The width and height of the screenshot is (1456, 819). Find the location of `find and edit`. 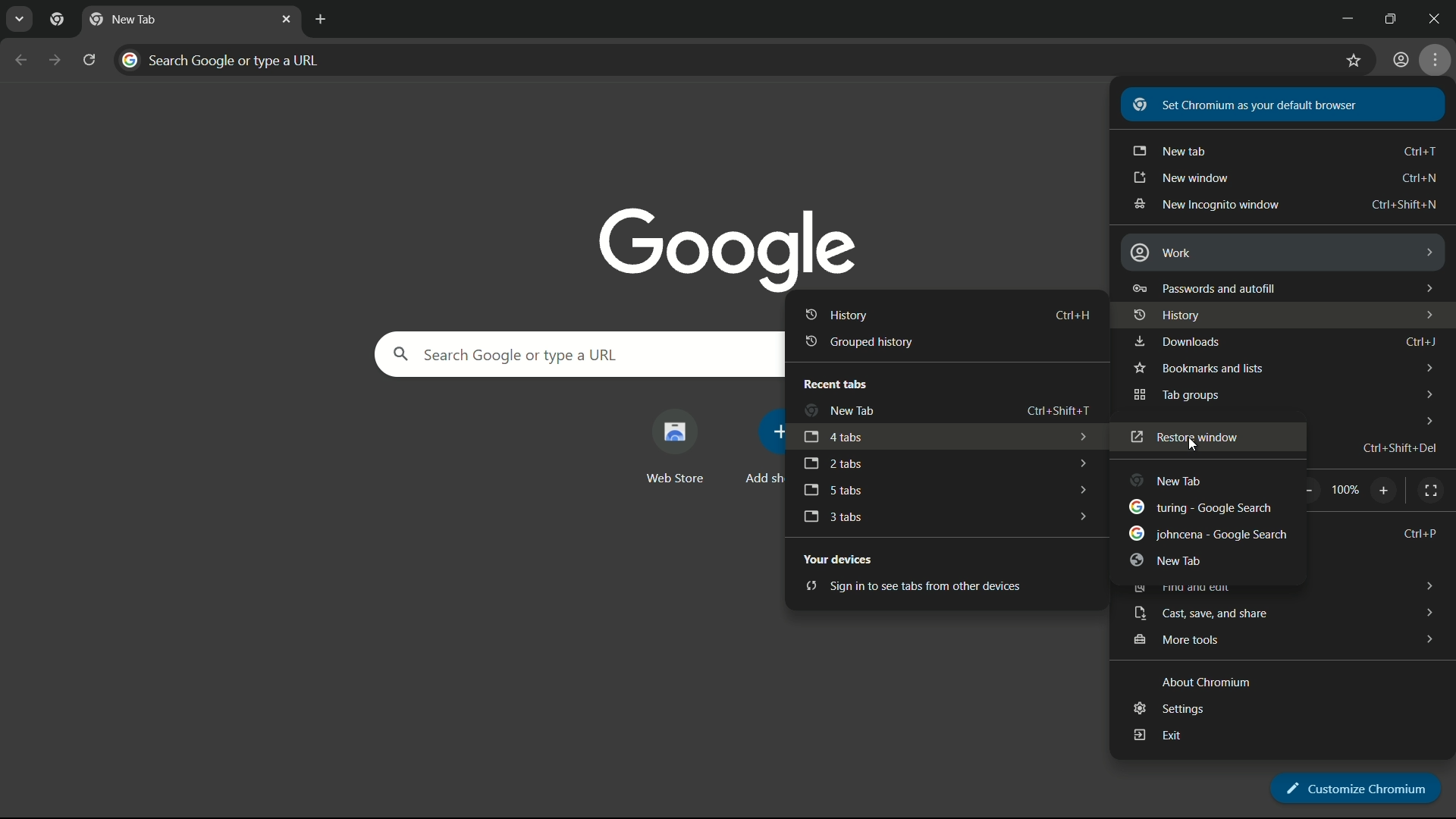

find and edit is located at coordinates (1179, 587).